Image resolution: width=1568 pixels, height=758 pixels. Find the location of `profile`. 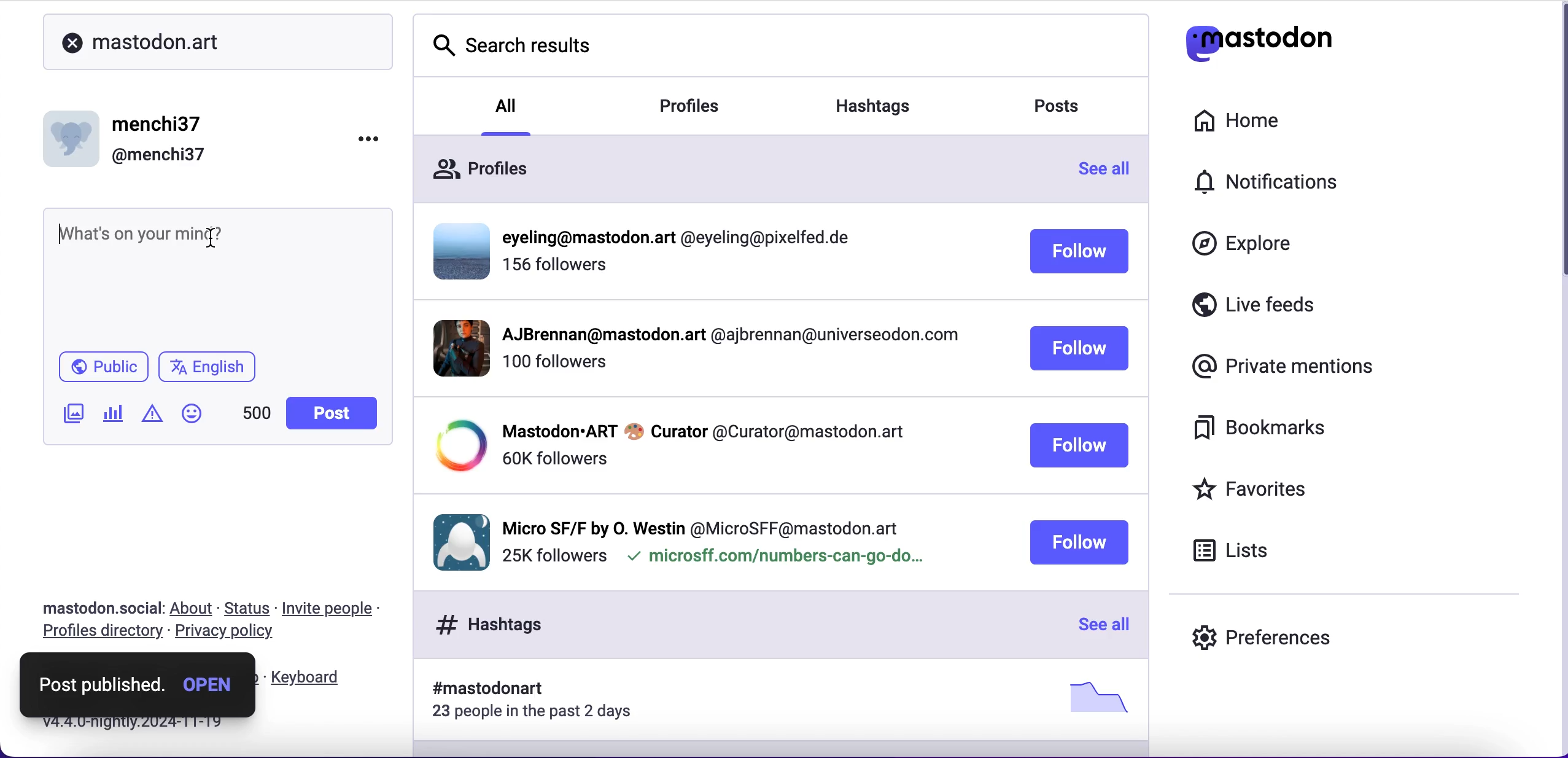

profile is located at coordinates (702, 525).